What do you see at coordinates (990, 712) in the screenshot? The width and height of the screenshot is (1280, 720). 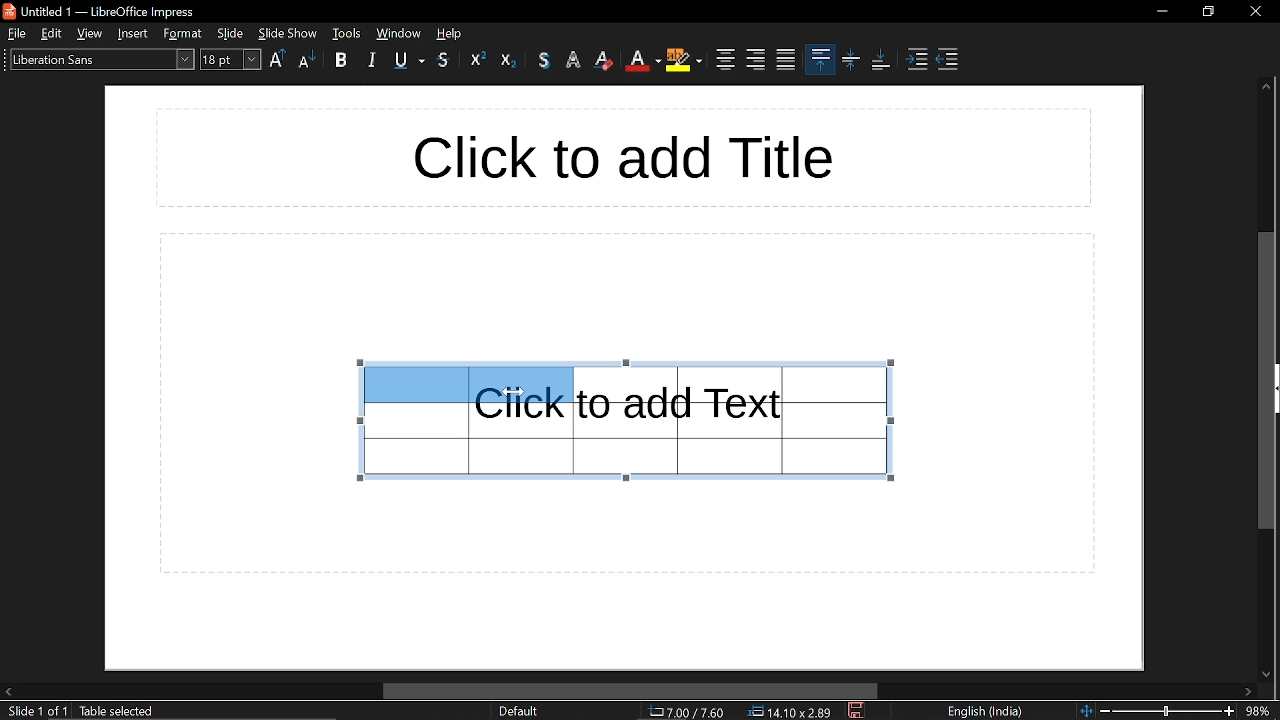 I see `language` at bounding box center [990, 712].